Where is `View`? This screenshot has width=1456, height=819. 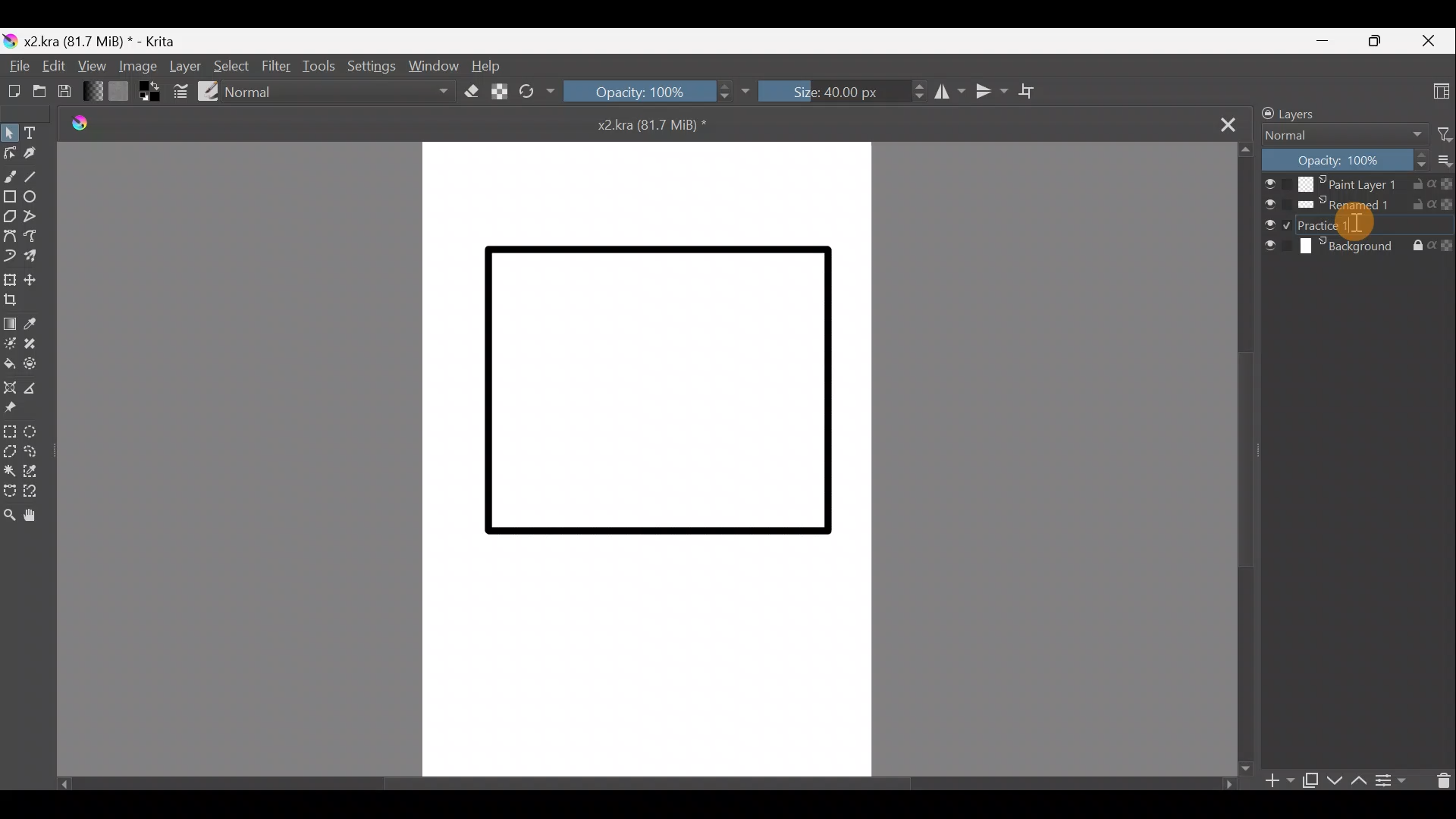
View is located at coordinates (89, 64).